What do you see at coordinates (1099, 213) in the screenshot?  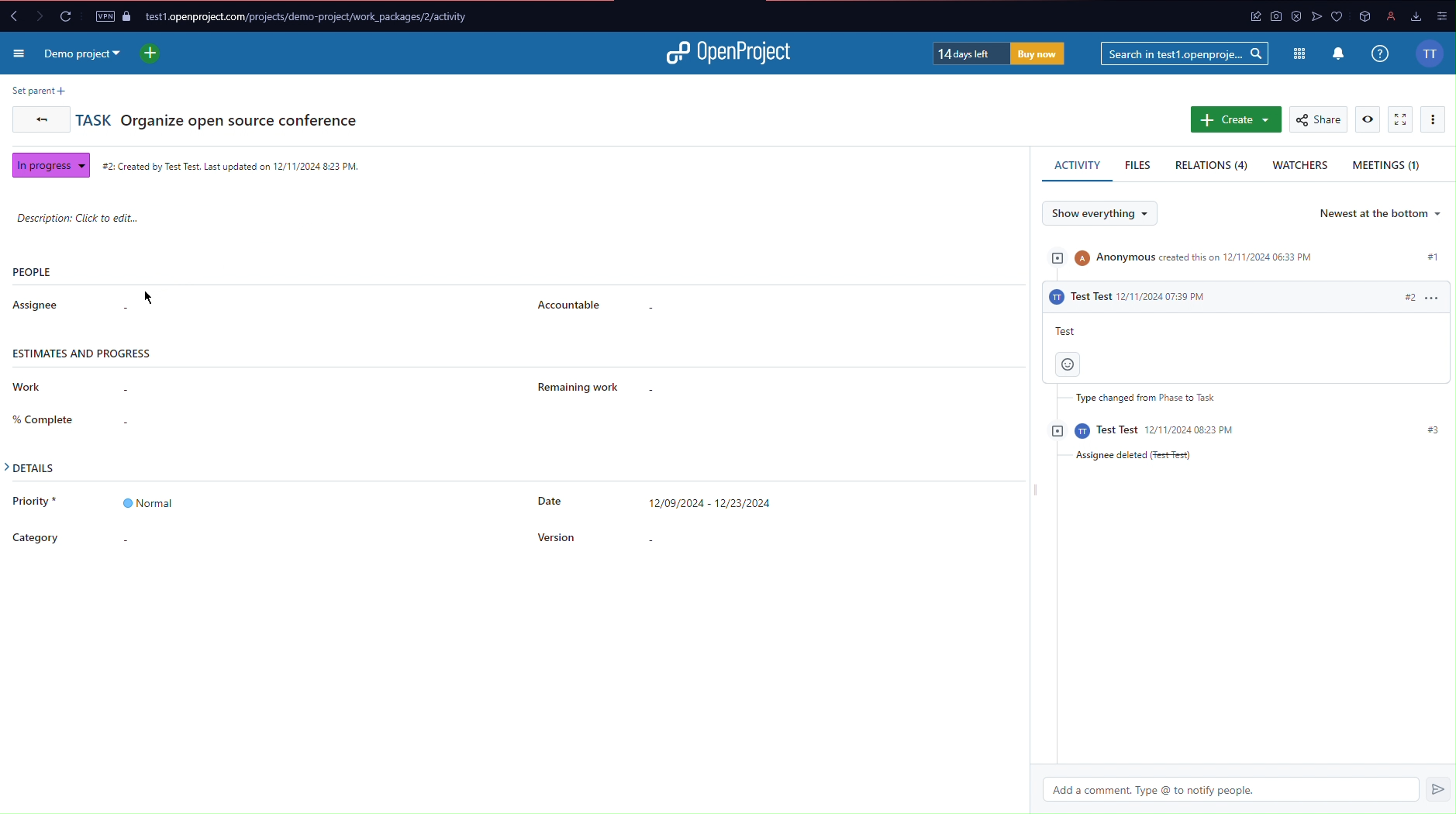 I see `Show everything` at bounding box center [1099, 213].